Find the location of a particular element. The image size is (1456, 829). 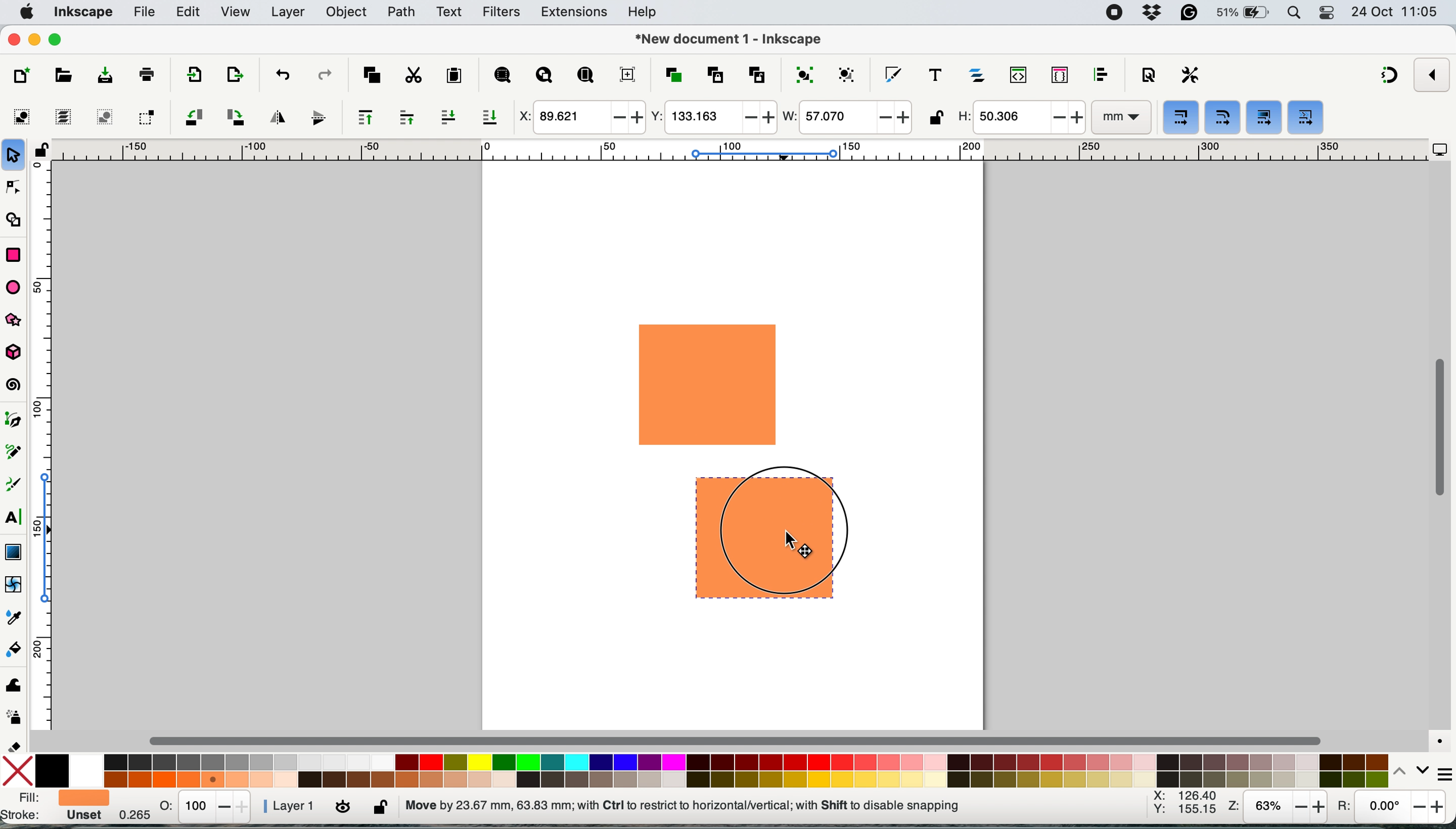

object rotate 90 is located at coordinates (234, 116).